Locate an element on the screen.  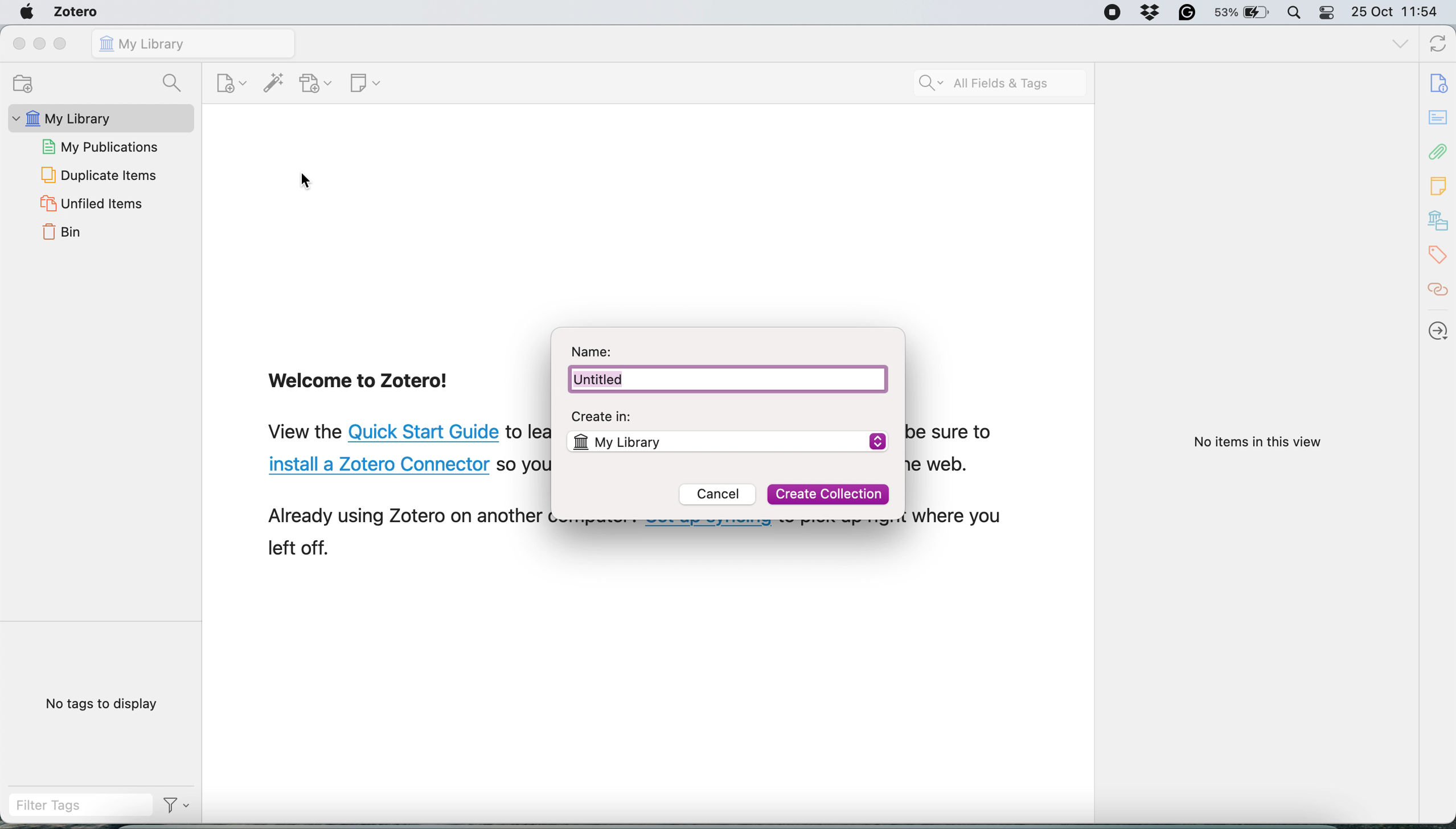
Welcome to Zotero! is located at coordinates (360, 384).